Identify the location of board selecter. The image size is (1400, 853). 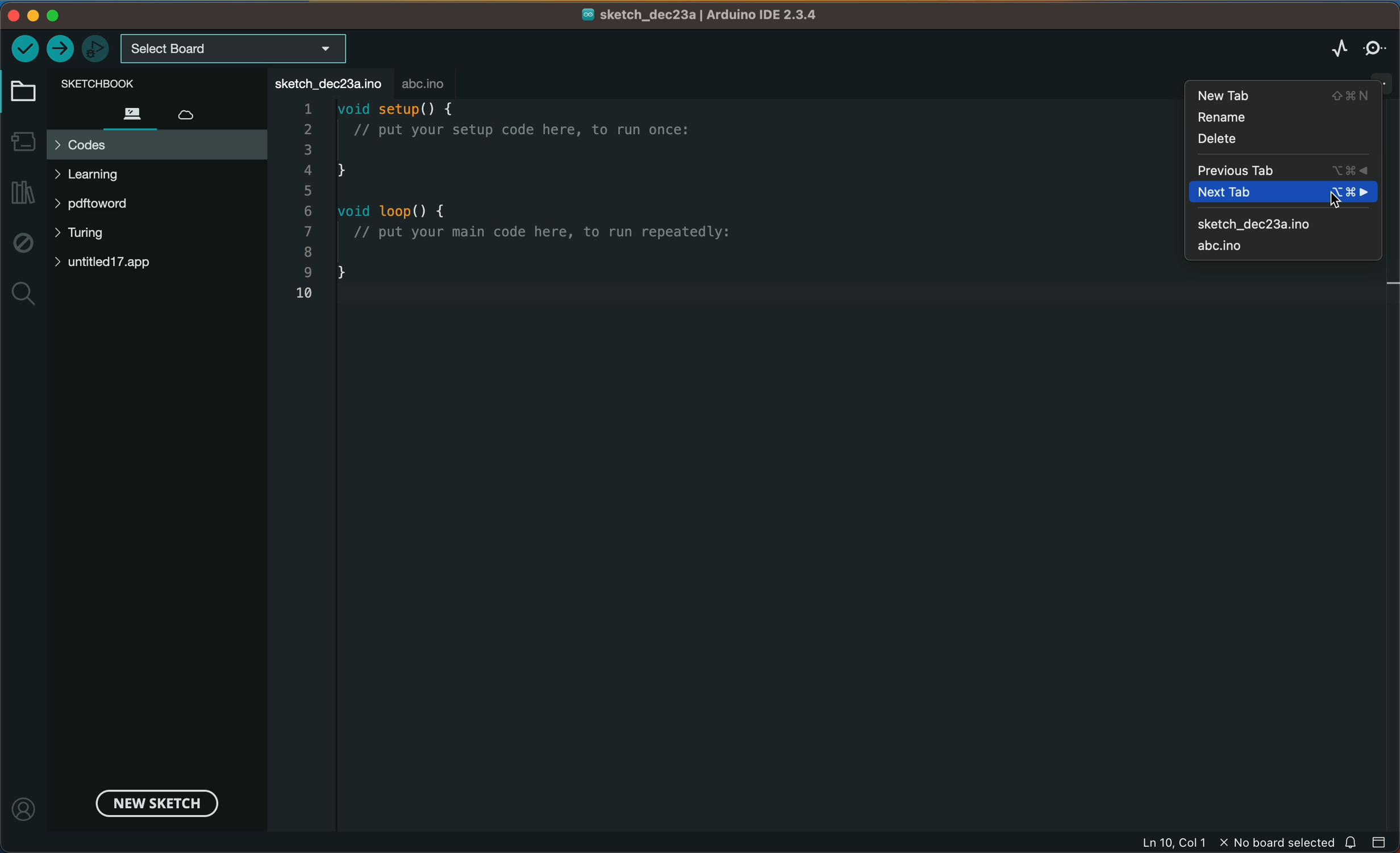
(236, 49).